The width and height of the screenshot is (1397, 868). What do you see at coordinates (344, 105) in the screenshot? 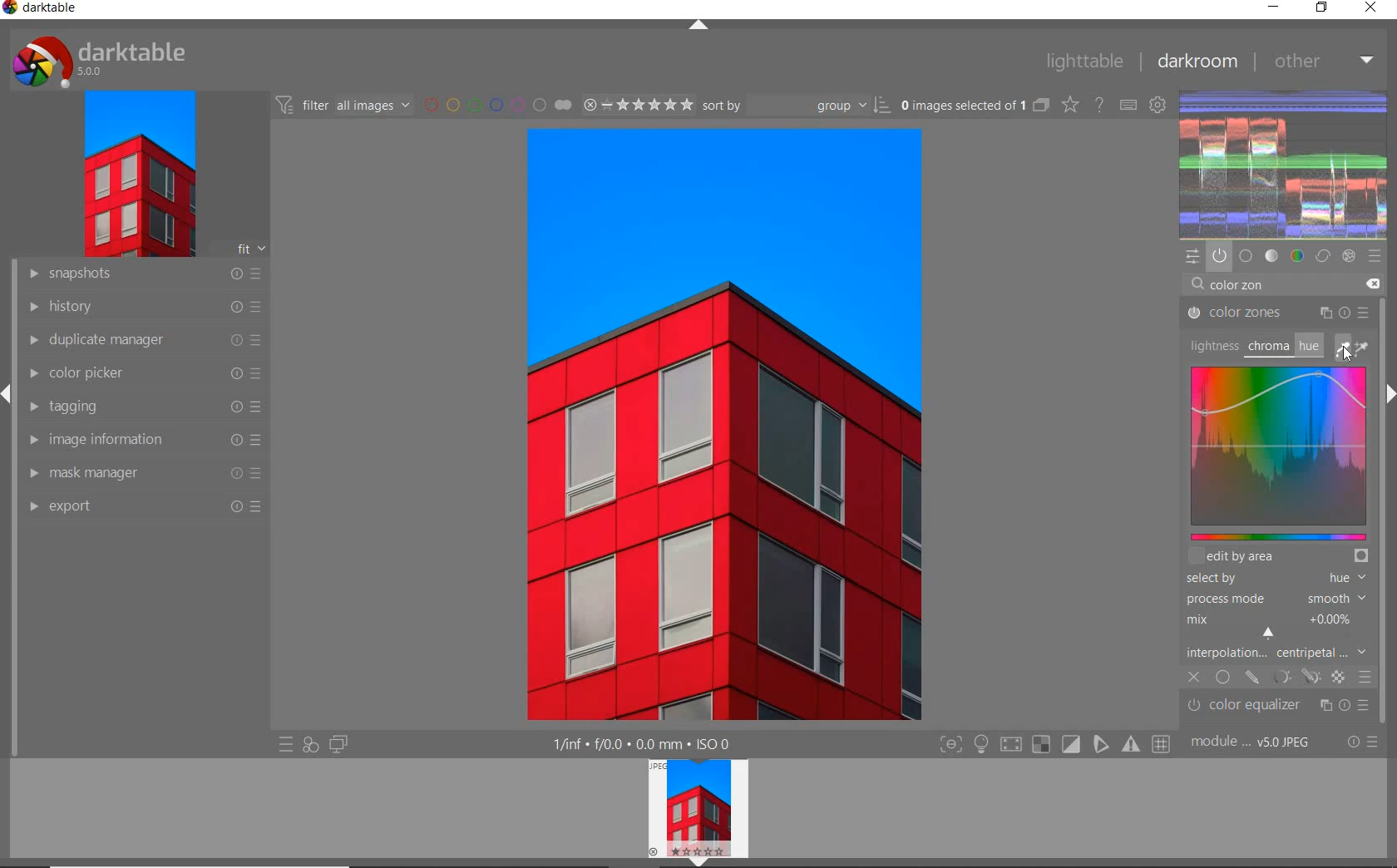
I see `filter all images` at bounding box center [344, 105].